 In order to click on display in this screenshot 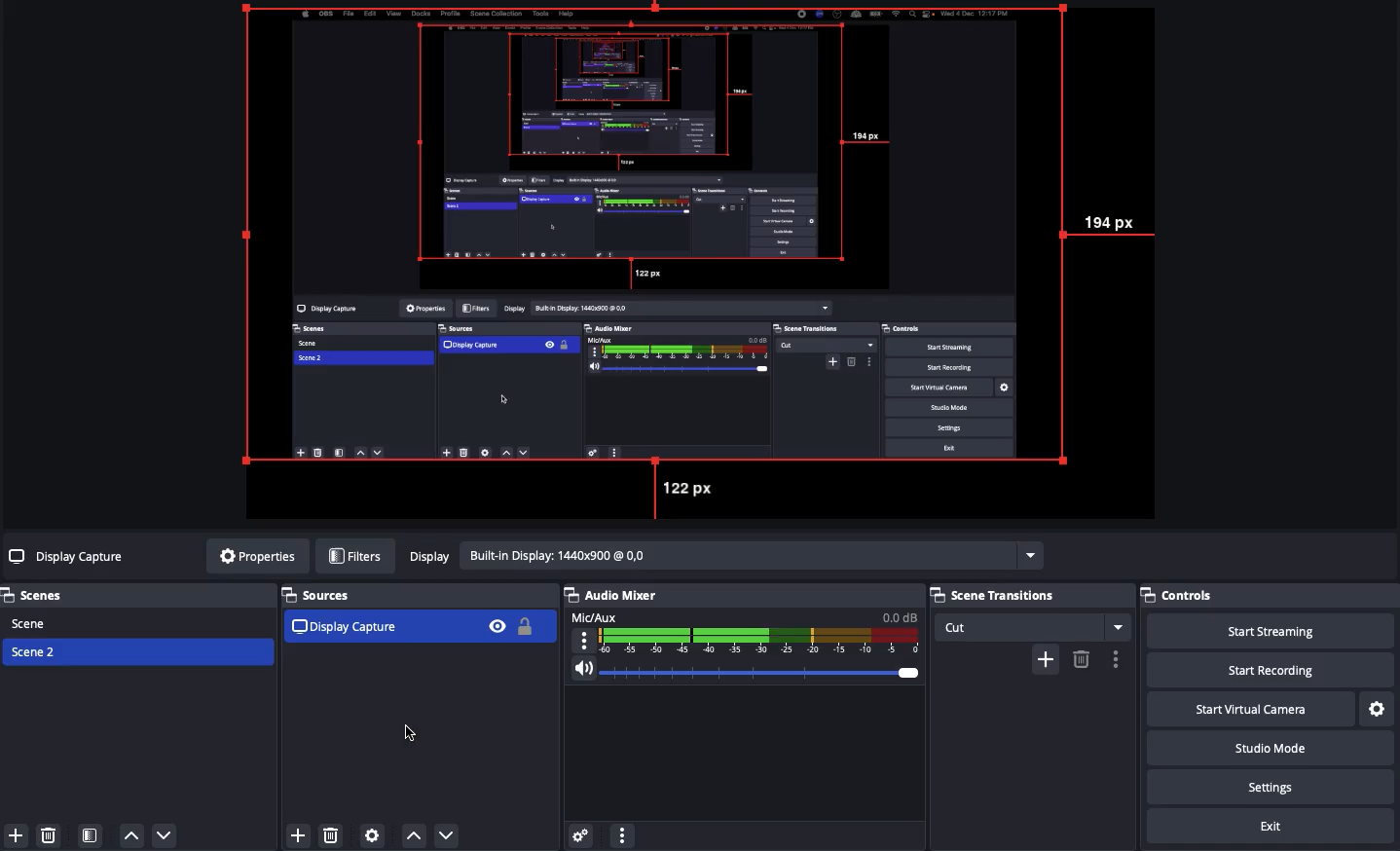, I will do `click(429, 557)`.